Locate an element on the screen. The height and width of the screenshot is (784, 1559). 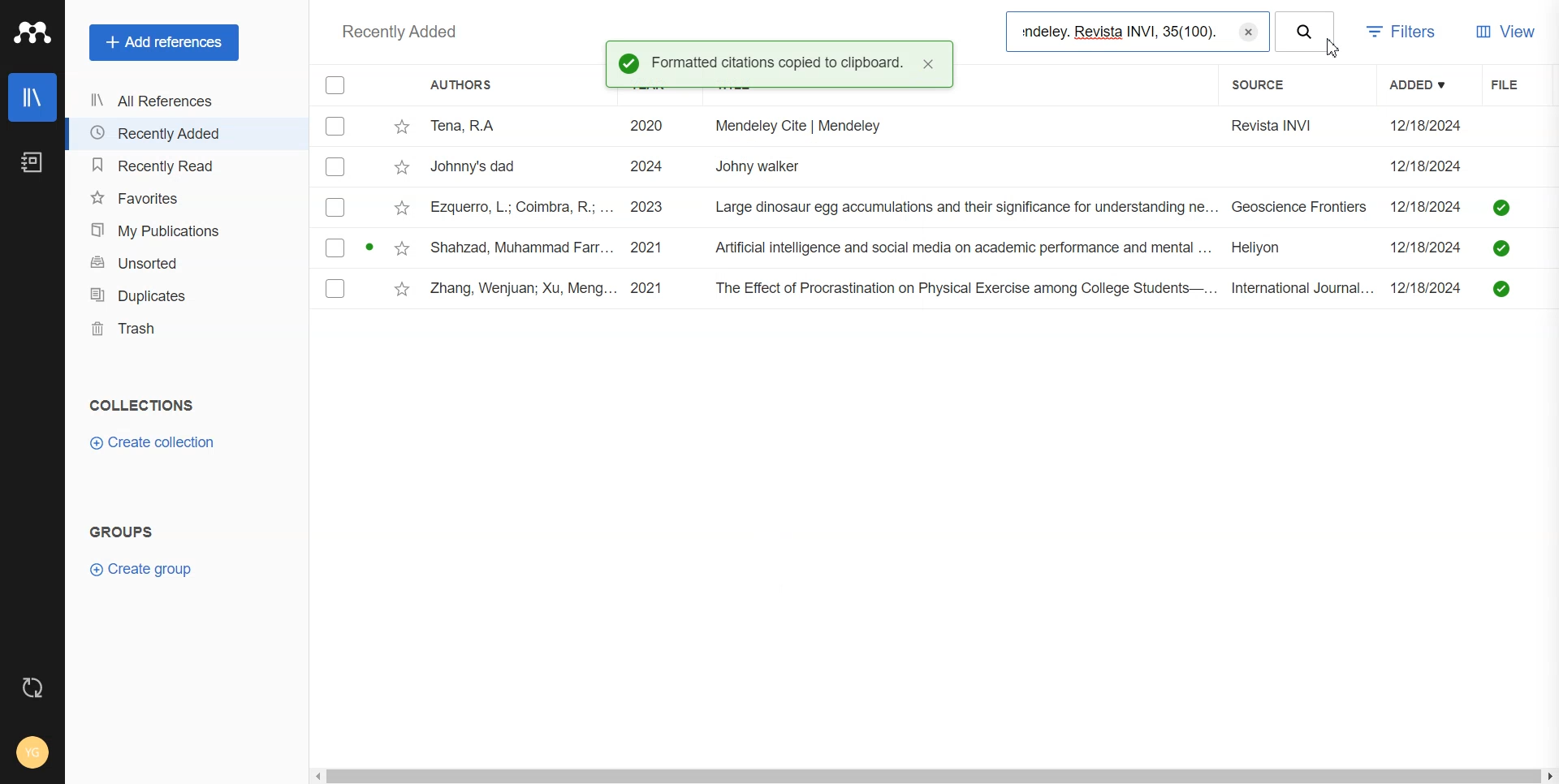
Checkbox is located at coordinates (336, 126).